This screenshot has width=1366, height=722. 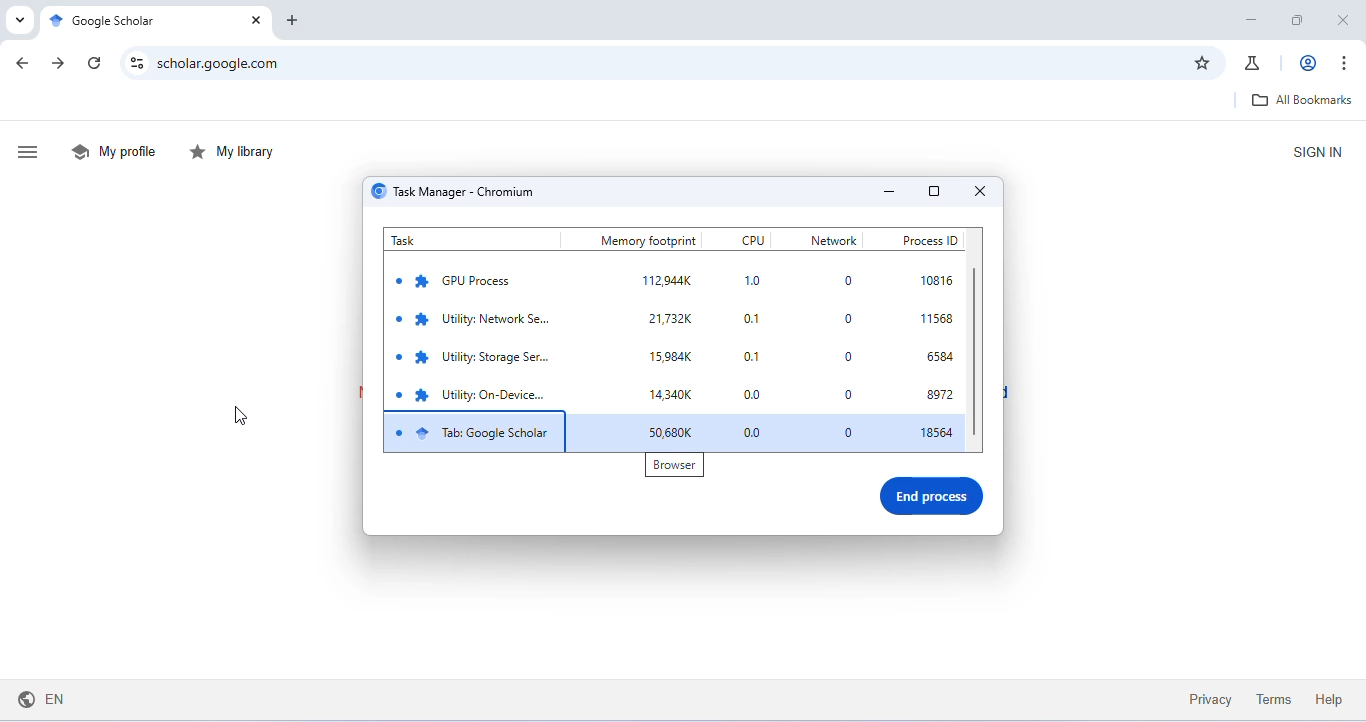 What do you see at coordinates (1254, 62) in the screenshot?
I see `chrome labs` at bounding box center [1254, 62].